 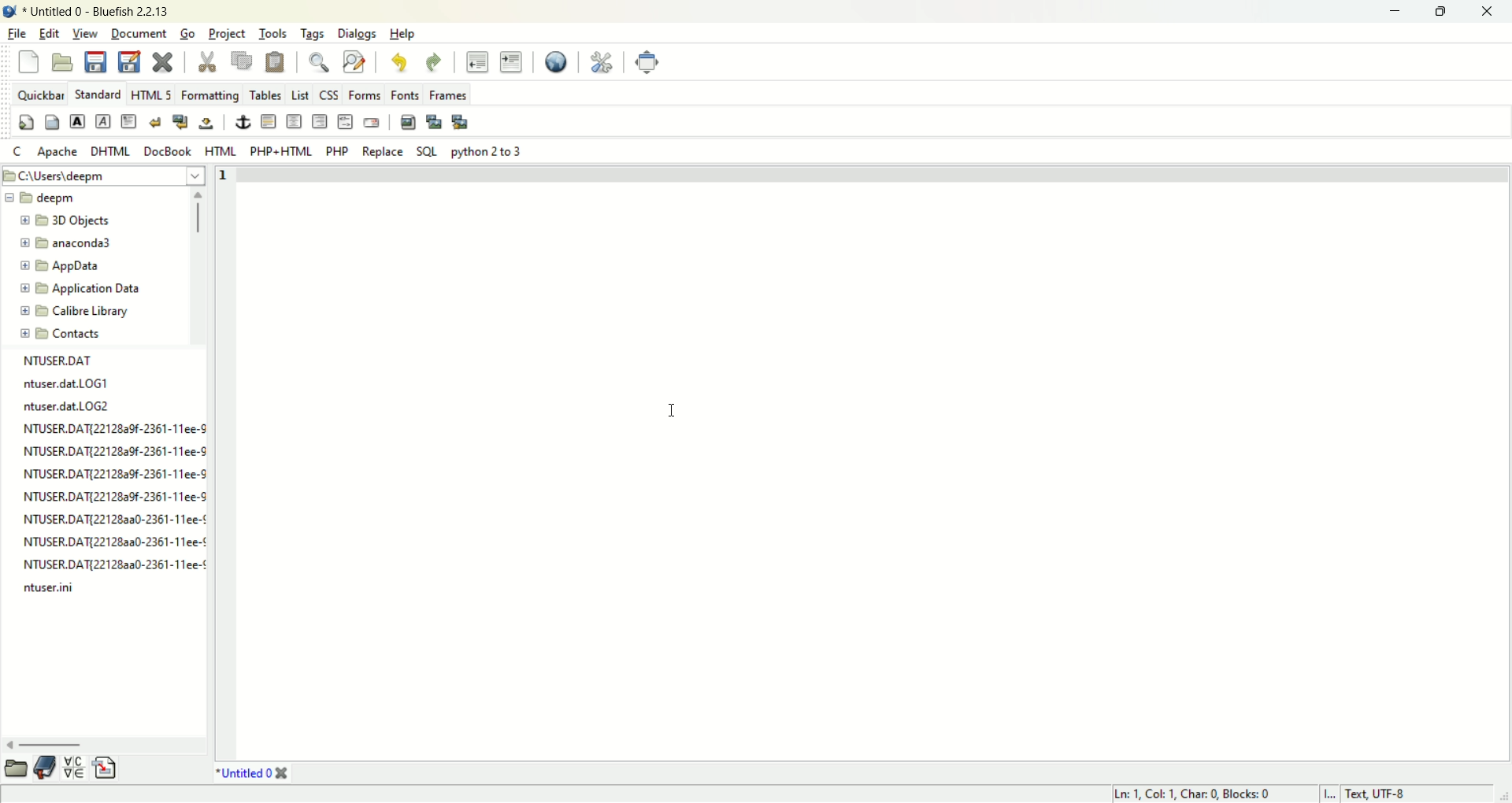 What do you see at coordinates (103, 743) in the screenshot?
I see `scroll bar` at bounding box center [103, 743].